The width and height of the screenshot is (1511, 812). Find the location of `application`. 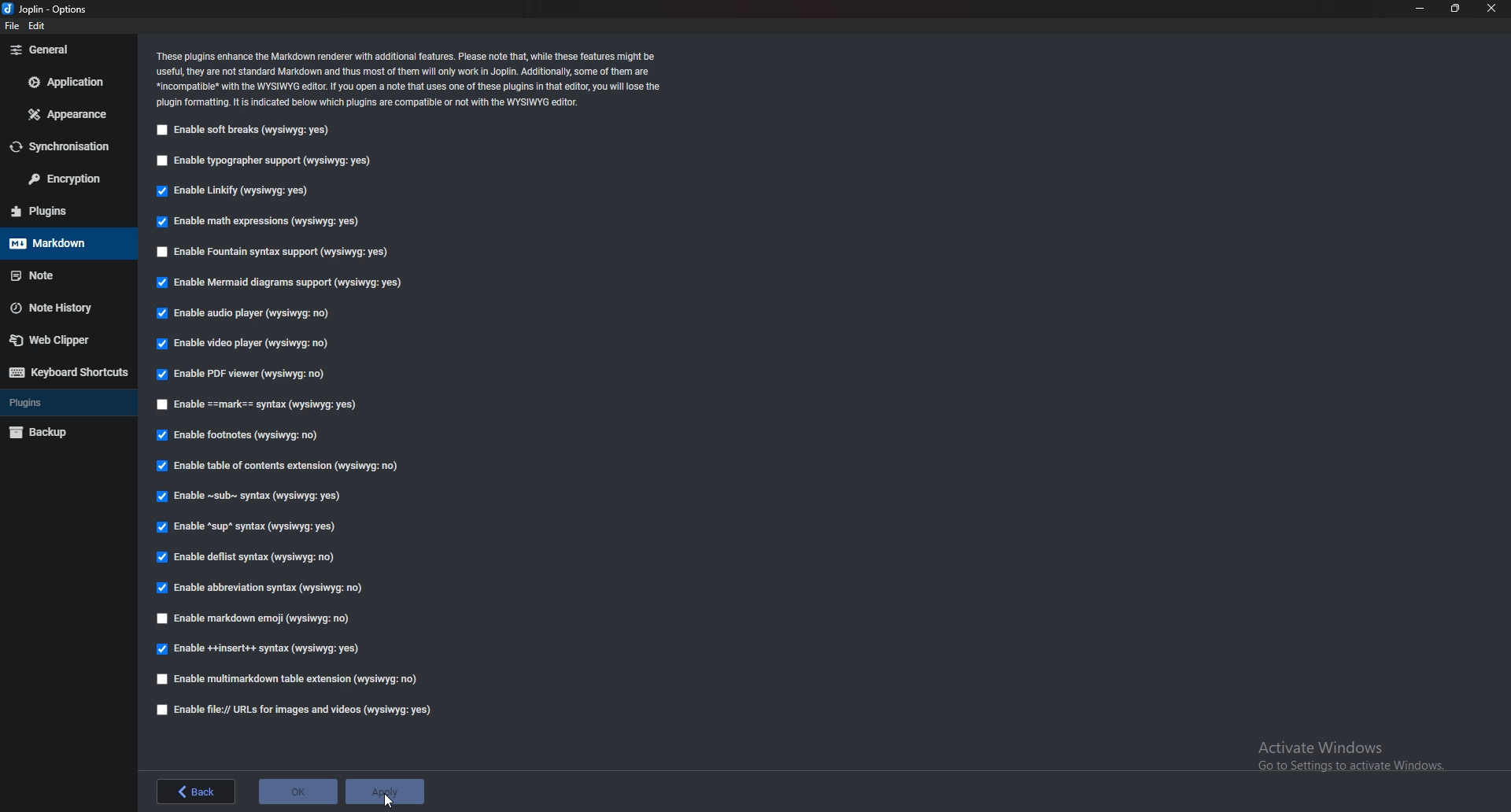

application is located at coordinates (68, 81).